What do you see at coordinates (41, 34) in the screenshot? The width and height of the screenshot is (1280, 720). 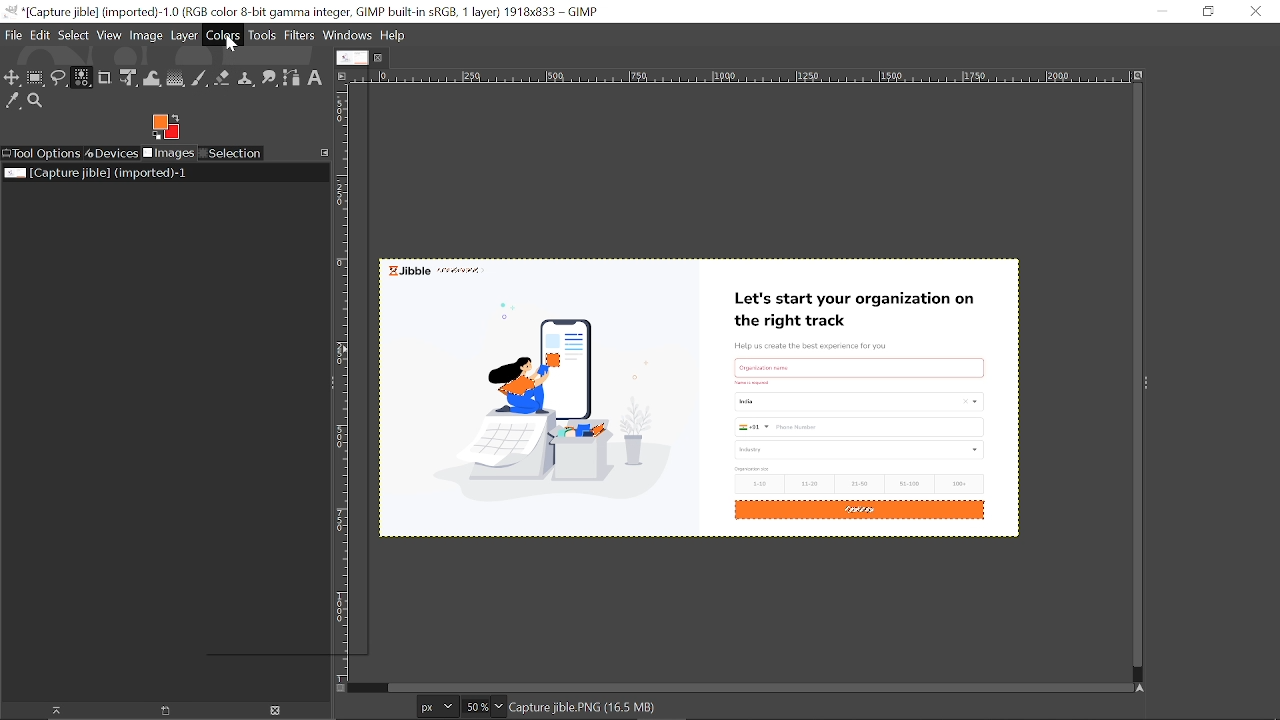 I see `Edit` at bounding box center [41, 34].